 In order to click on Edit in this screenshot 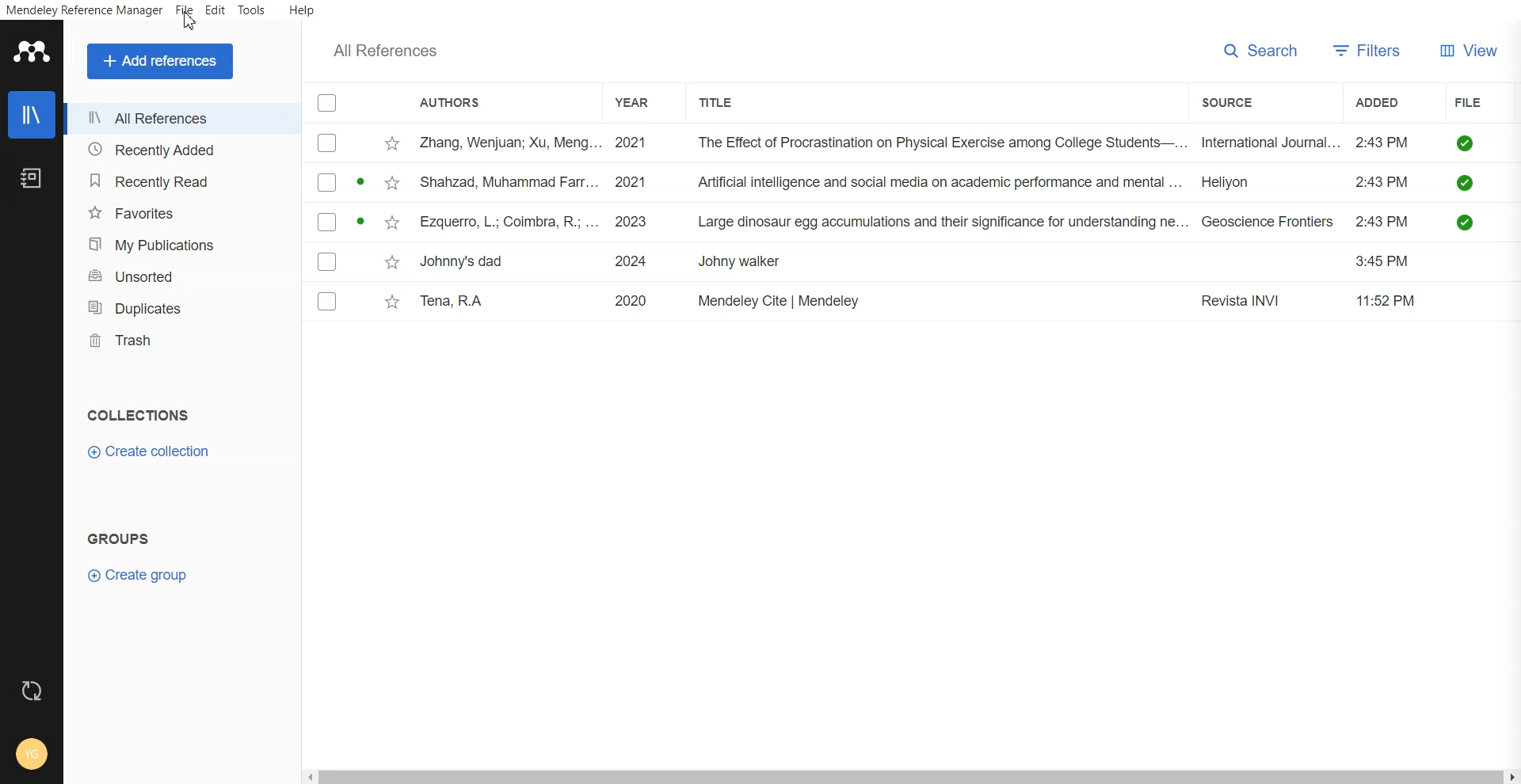, I will do `click(215, 11)`.